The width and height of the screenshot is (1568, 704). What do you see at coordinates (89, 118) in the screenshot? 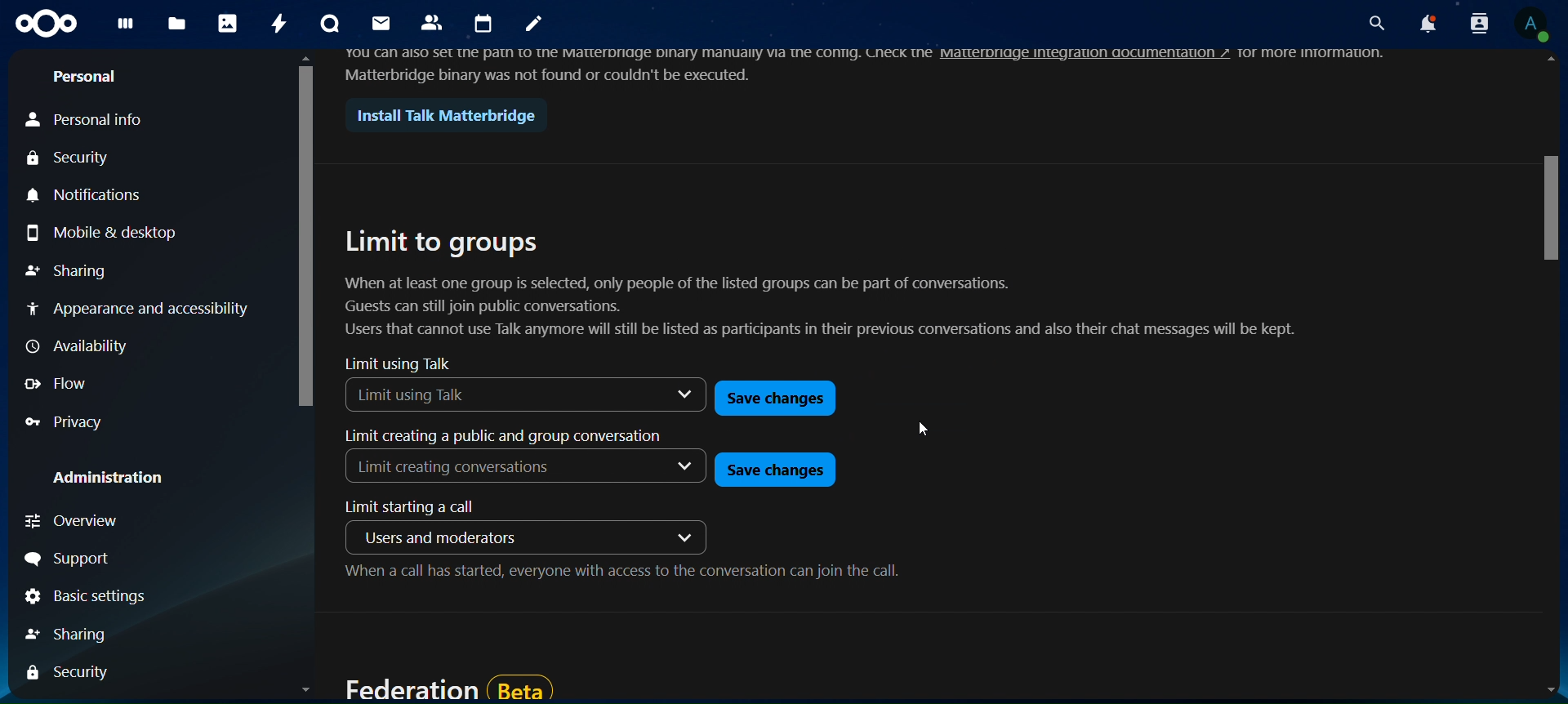
I see `personal info` at bounding box center [89, 118].